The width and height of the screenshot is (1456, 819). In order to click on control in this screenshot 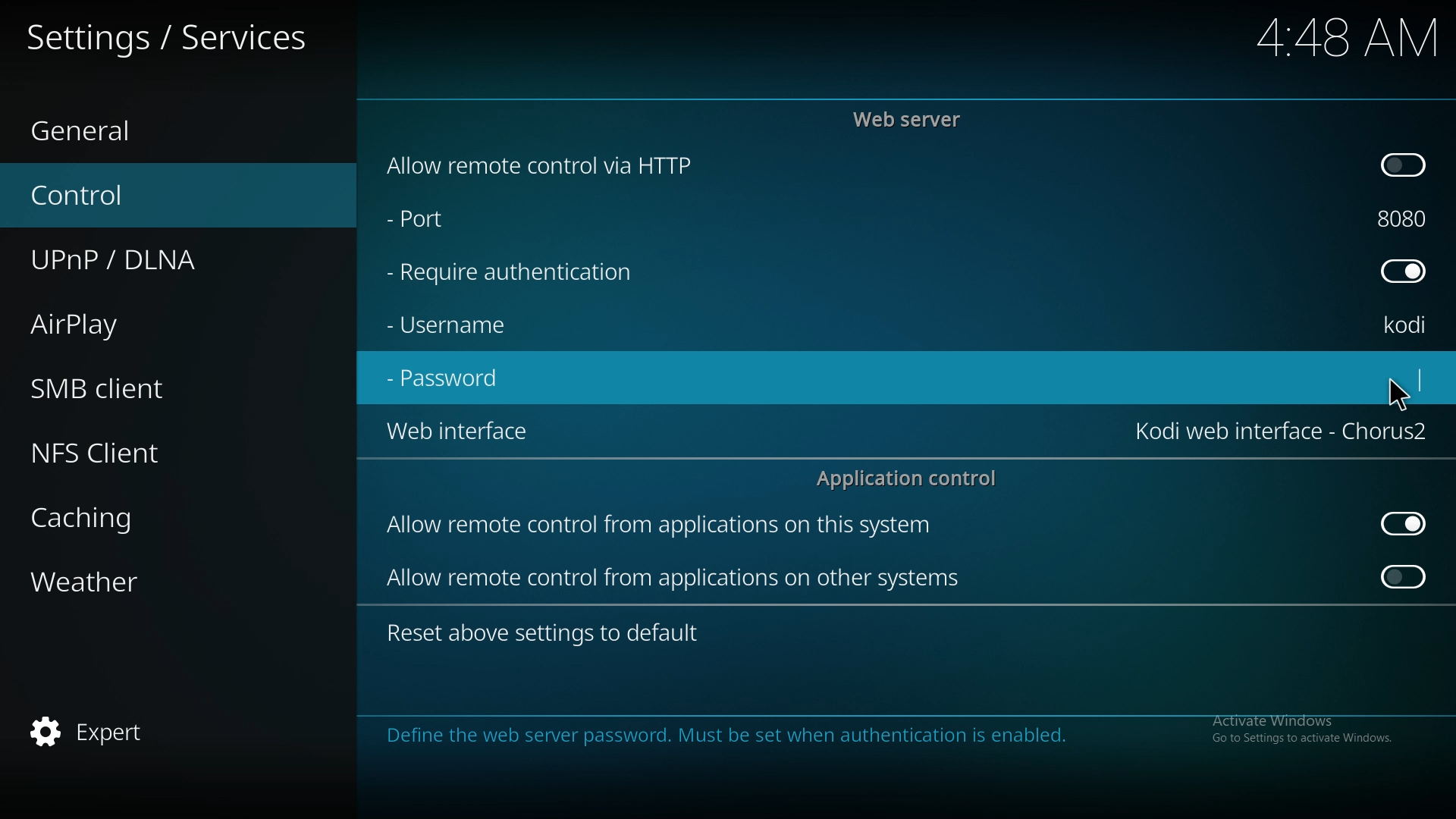, I will do `click(111, 194)`.